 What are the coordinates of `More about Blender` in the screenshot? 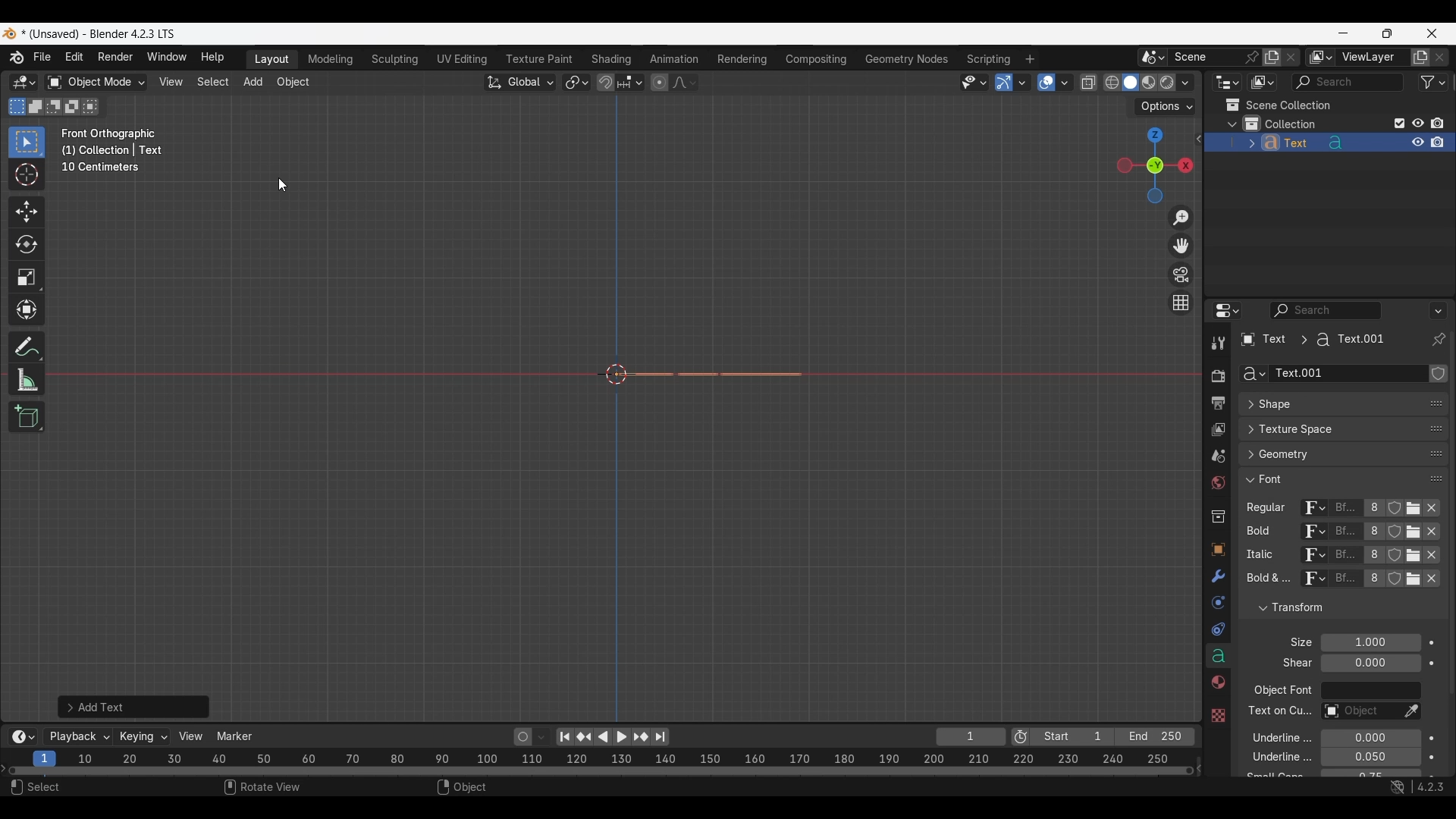 It's located at (17, 58).